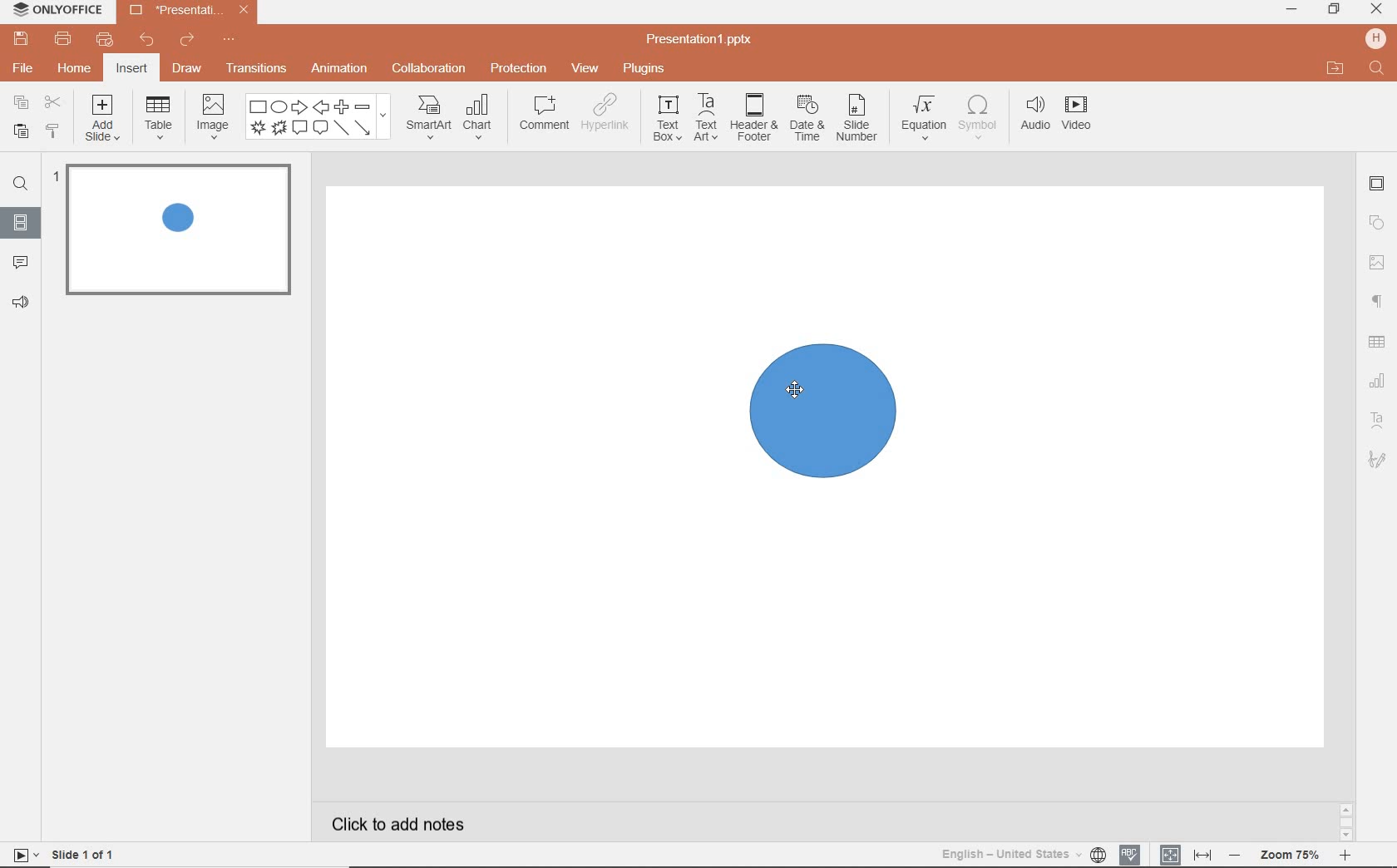  Describe the element at coordinates (131, 69) in the screenshot. I see `insert` at that location.